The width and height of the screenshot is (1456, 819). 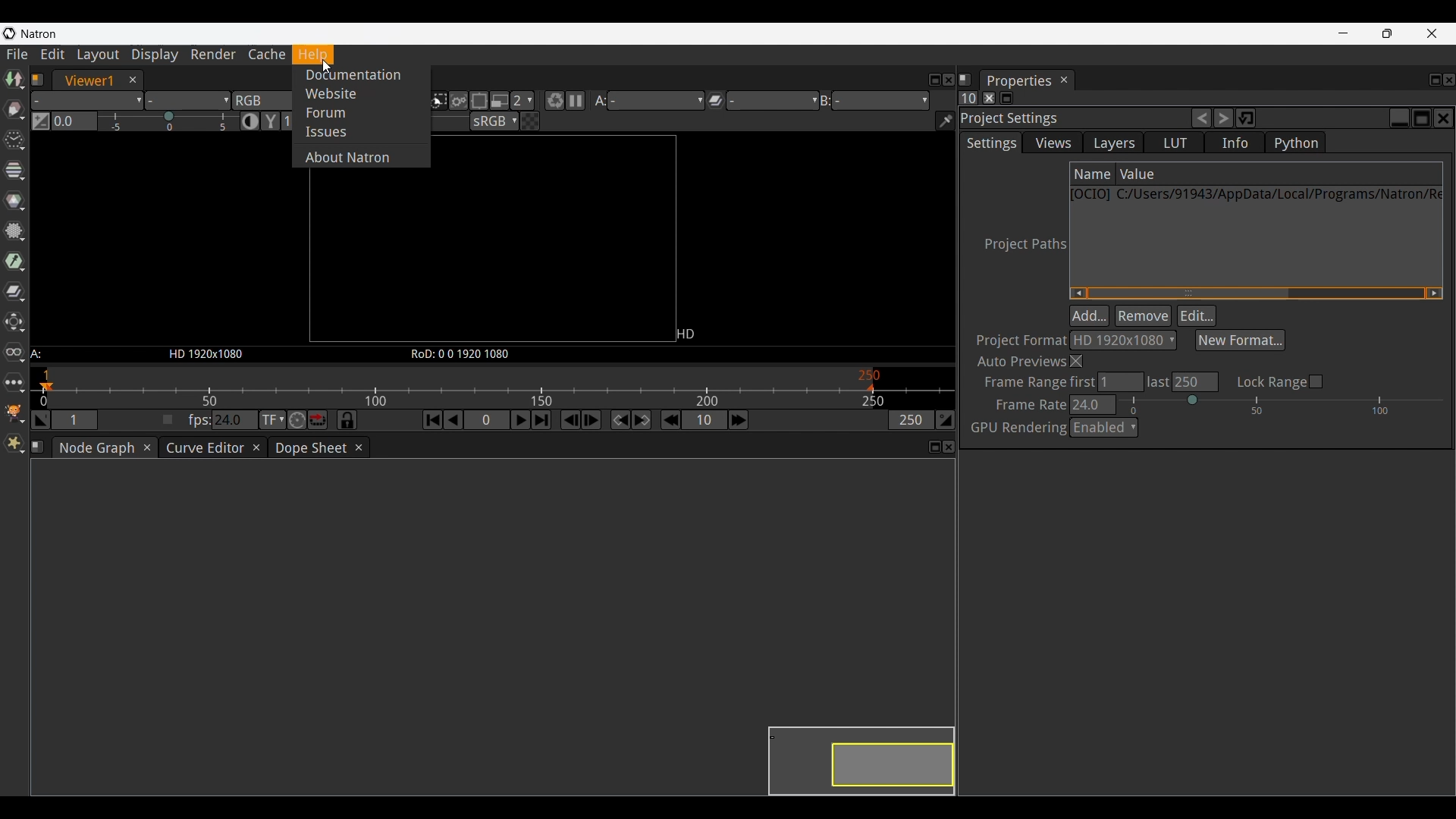 I want to click on Cache menu, so click(x=266, y=55).